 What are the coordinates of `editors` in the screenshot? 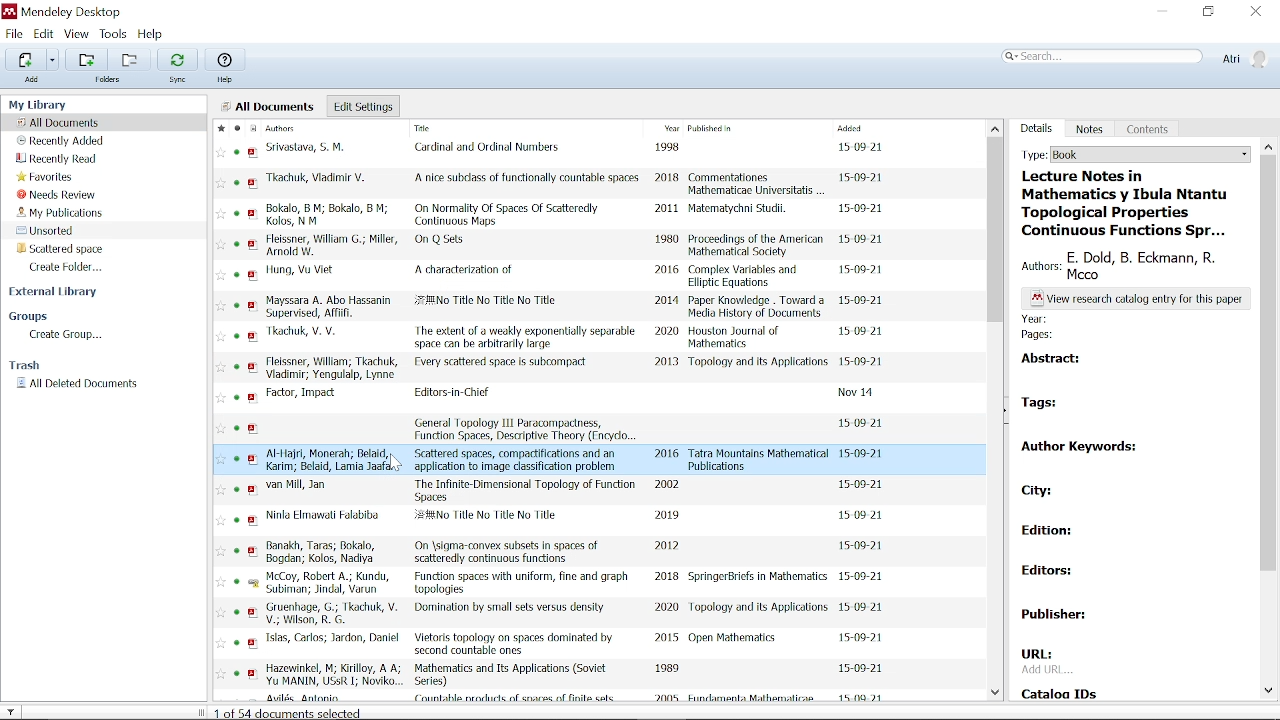 It's located at (1061, 574).